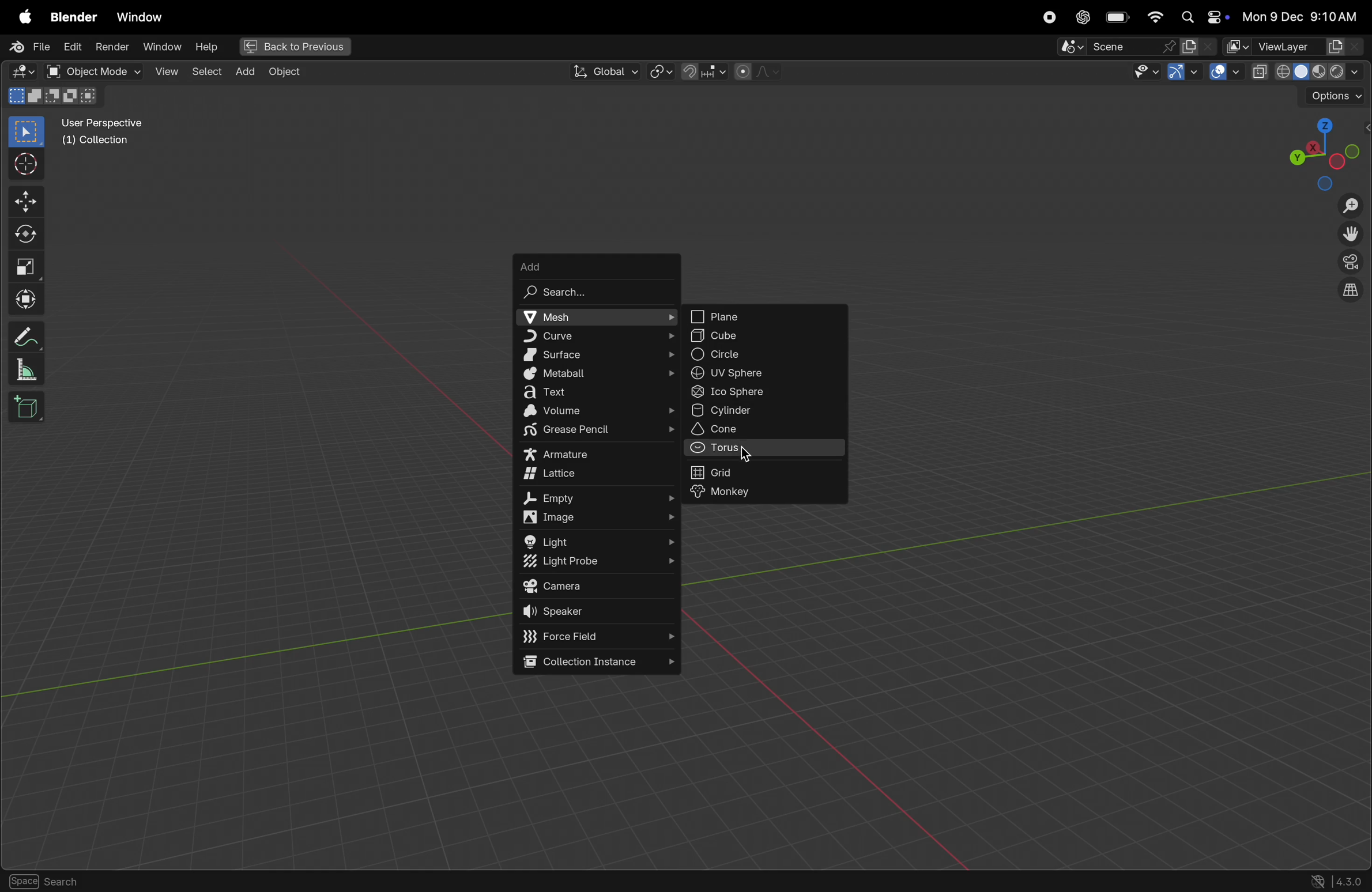 Image resolution: width=1372 pixels, height=892 pixels. What do you see at coordinates (29, 232) in the screenshot?
I see `rotate ` at bounding box center [29, 232].